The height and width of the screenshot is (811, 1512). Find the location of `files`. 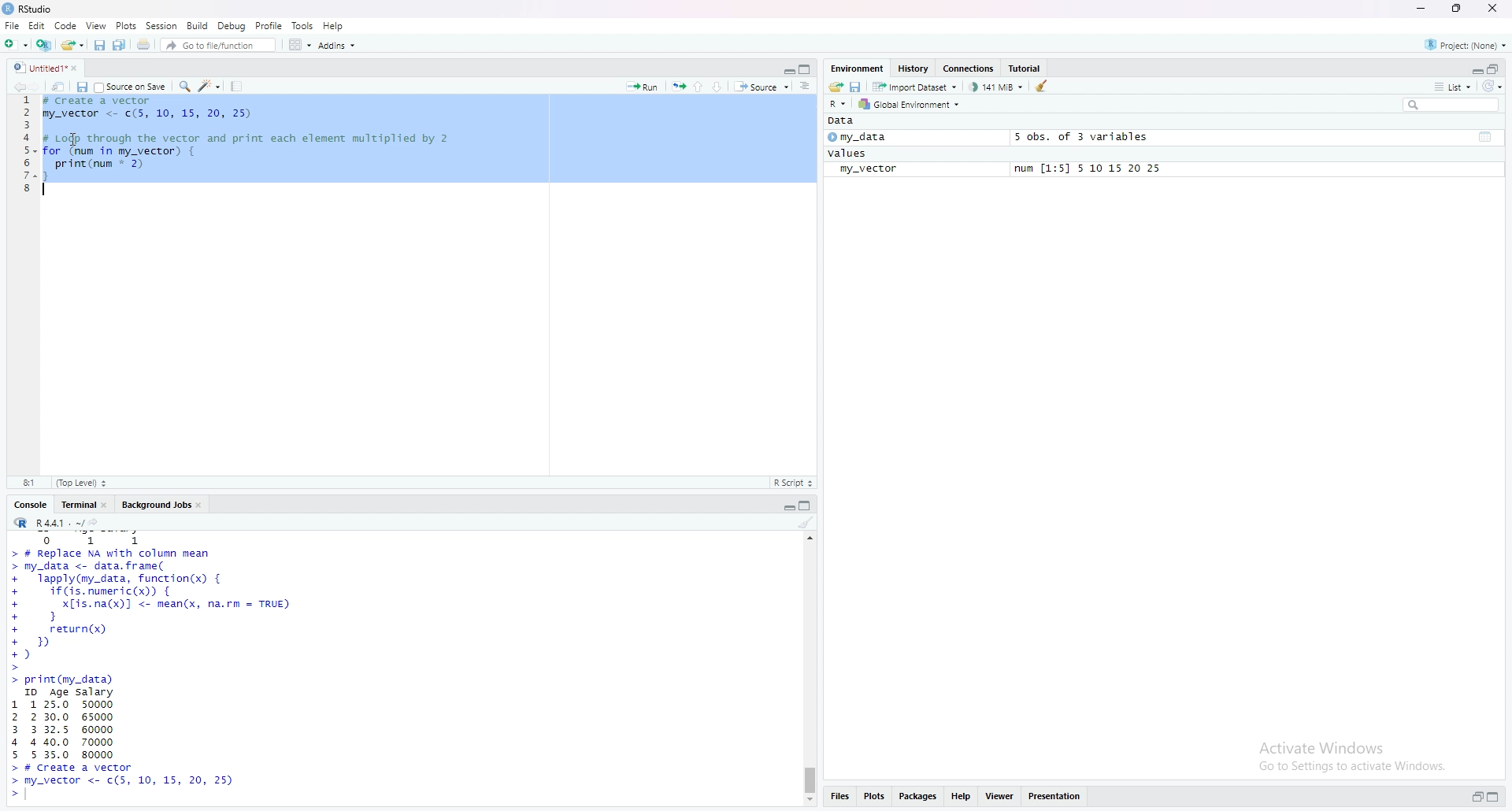

files is located at coordinates (843, 798).